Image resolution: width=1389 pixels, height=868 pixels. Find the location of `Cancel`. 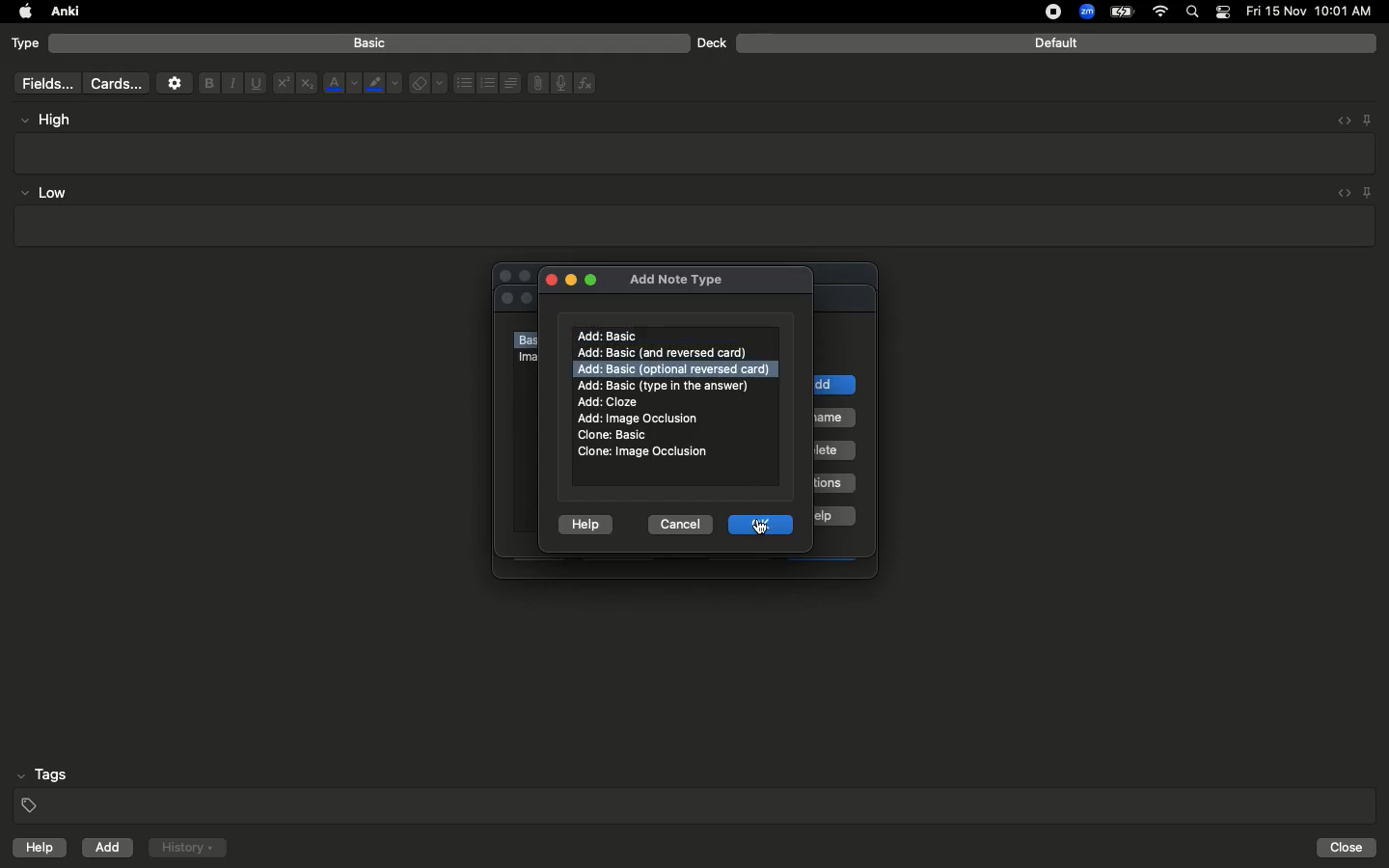

Cancel is located at coordinates (676, 523).